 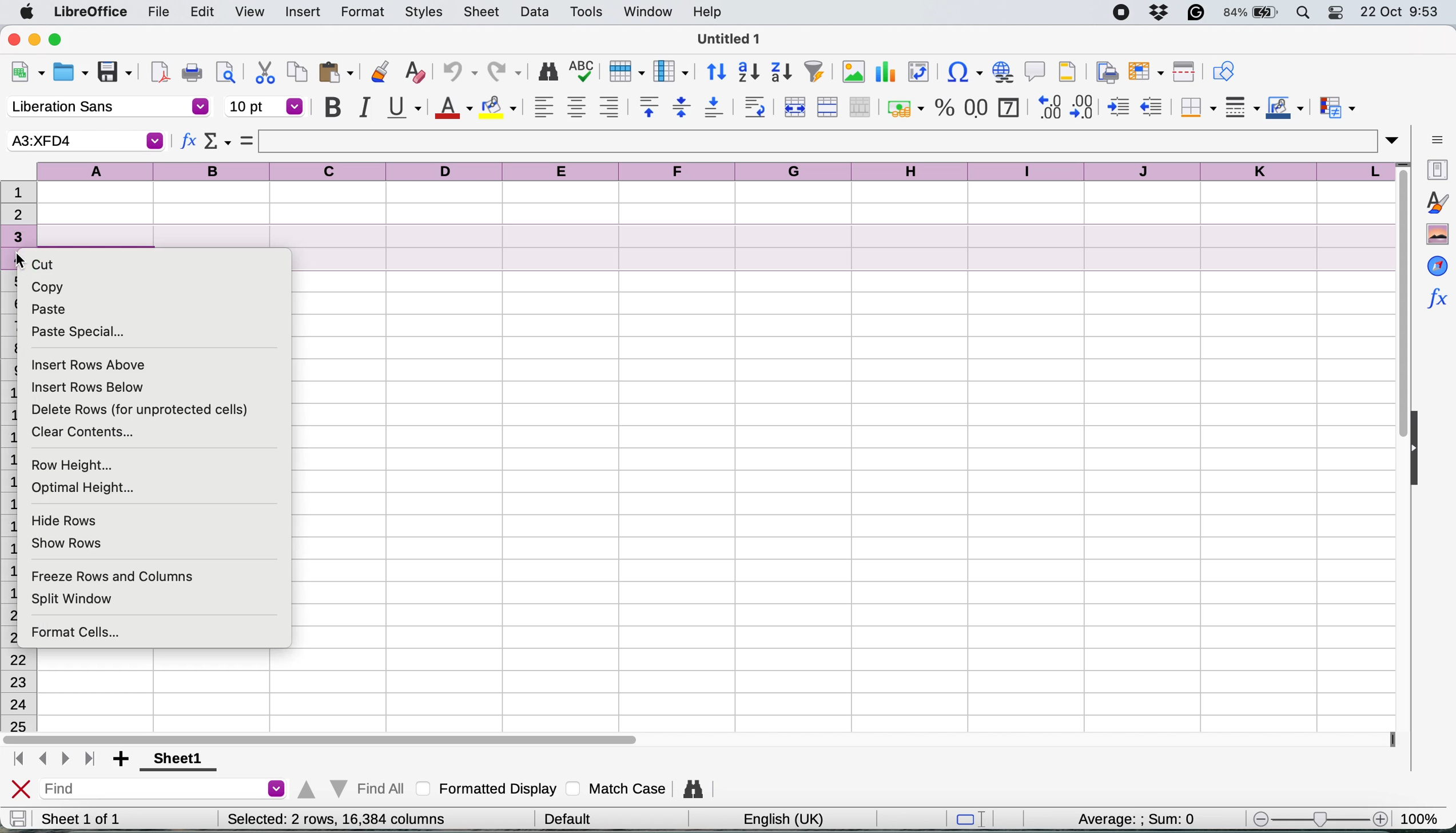 What do you see at coordinates (977, 106) in the screenshot?
I see `format as number` at bounding box center [977, 106].